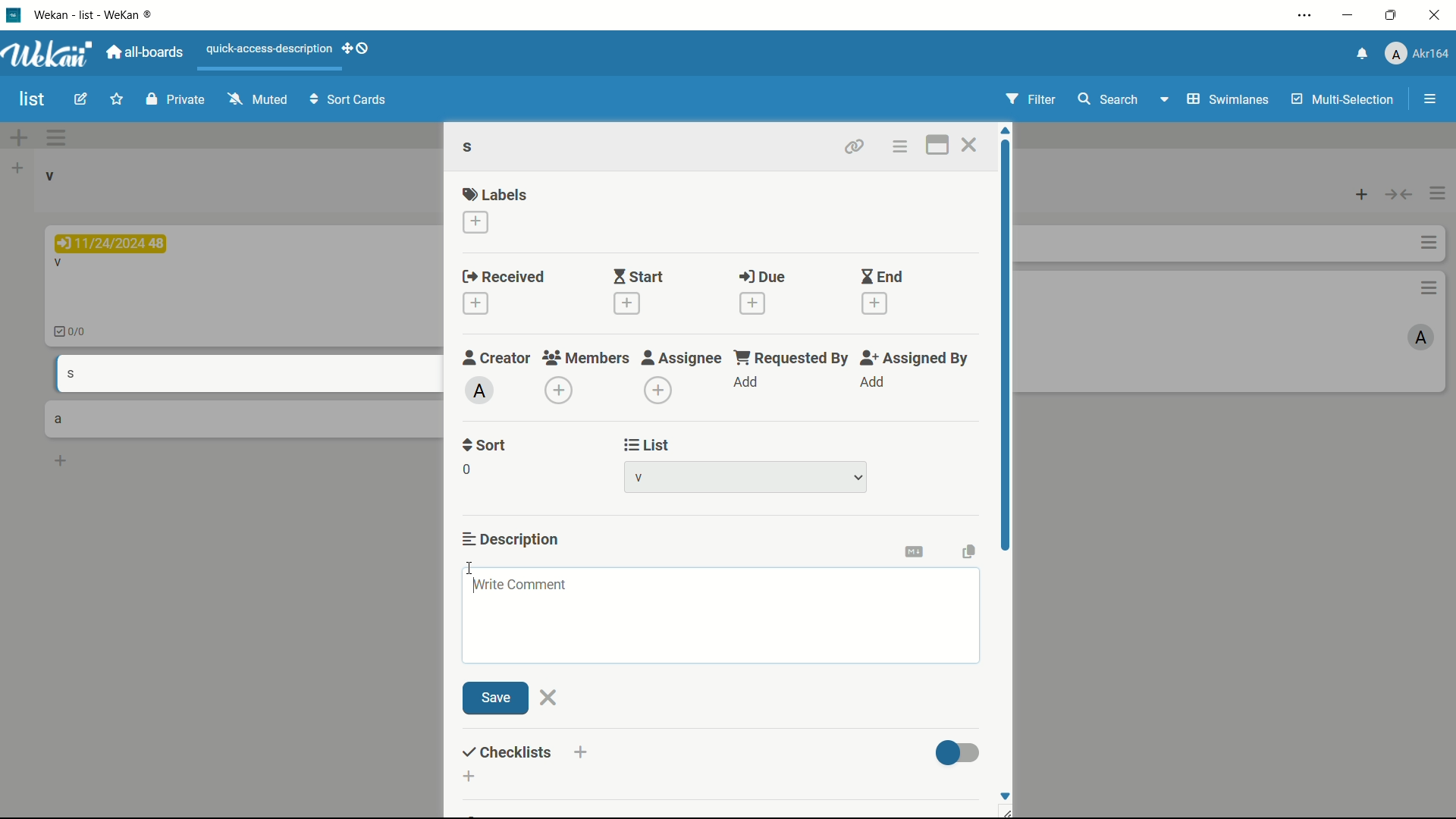 The image size is (1456, 819). Describe the element at coordinates (1109, 99) in the screenshot. I see `search` at that location.